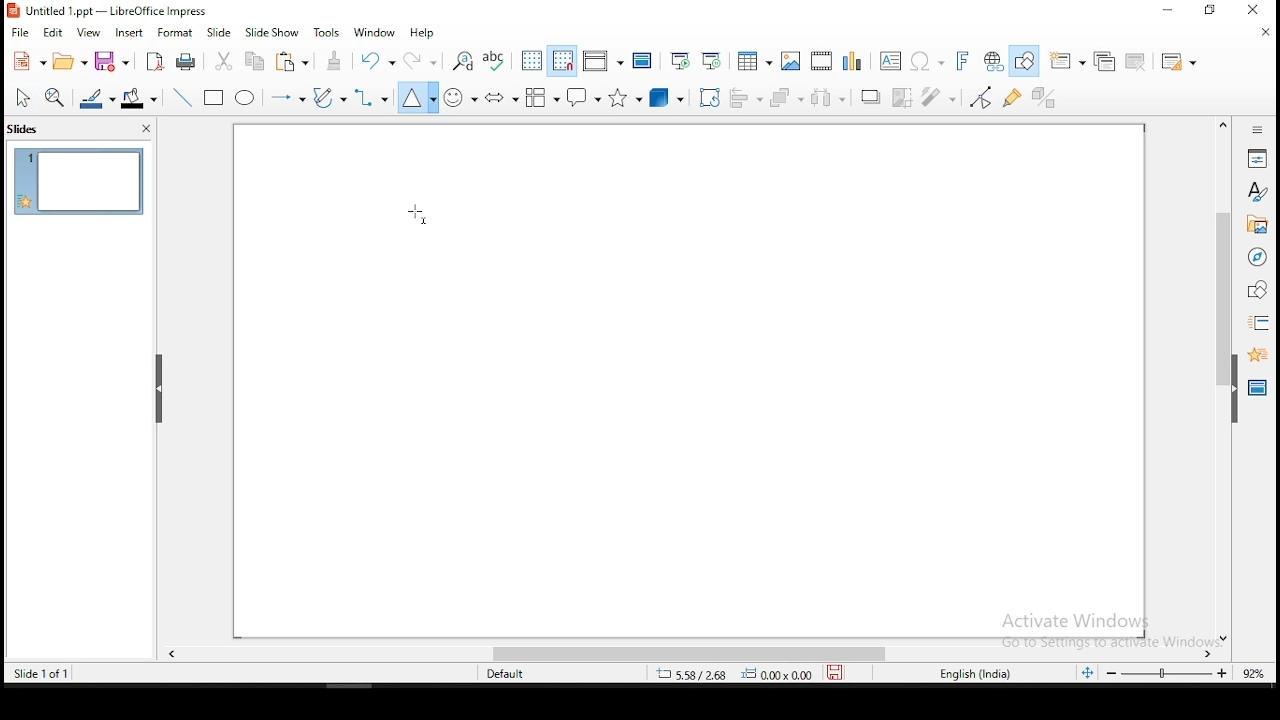 This screenshot has height=720, width=1280. What do you see at coordinates (329, 99) in the screenshot?
I see `curves and polygons` at bounding box center [329, 99].